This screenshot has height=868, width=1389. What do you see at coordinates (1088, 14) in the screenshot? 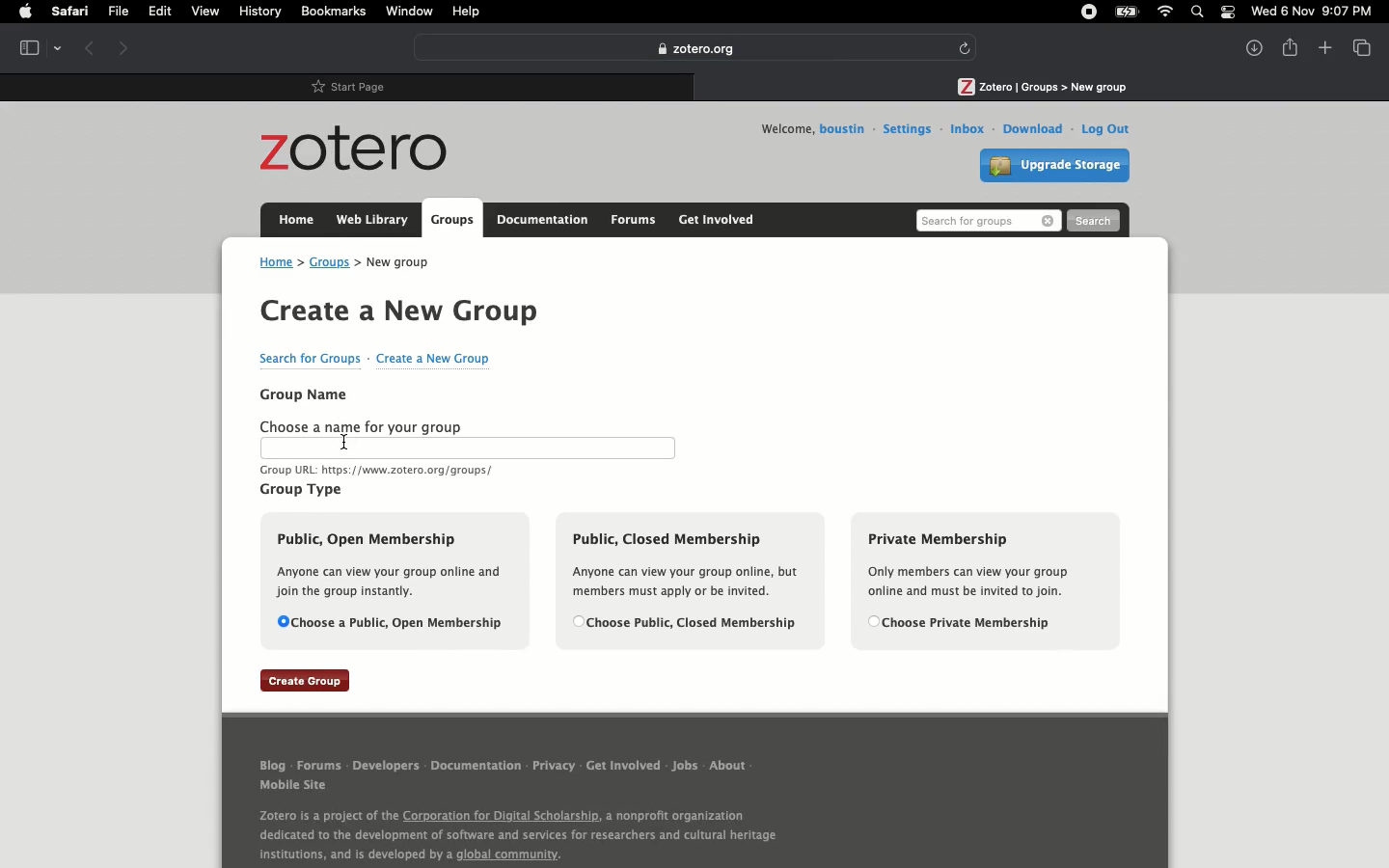
I see `Recording` at bounding box center [1088, 14].